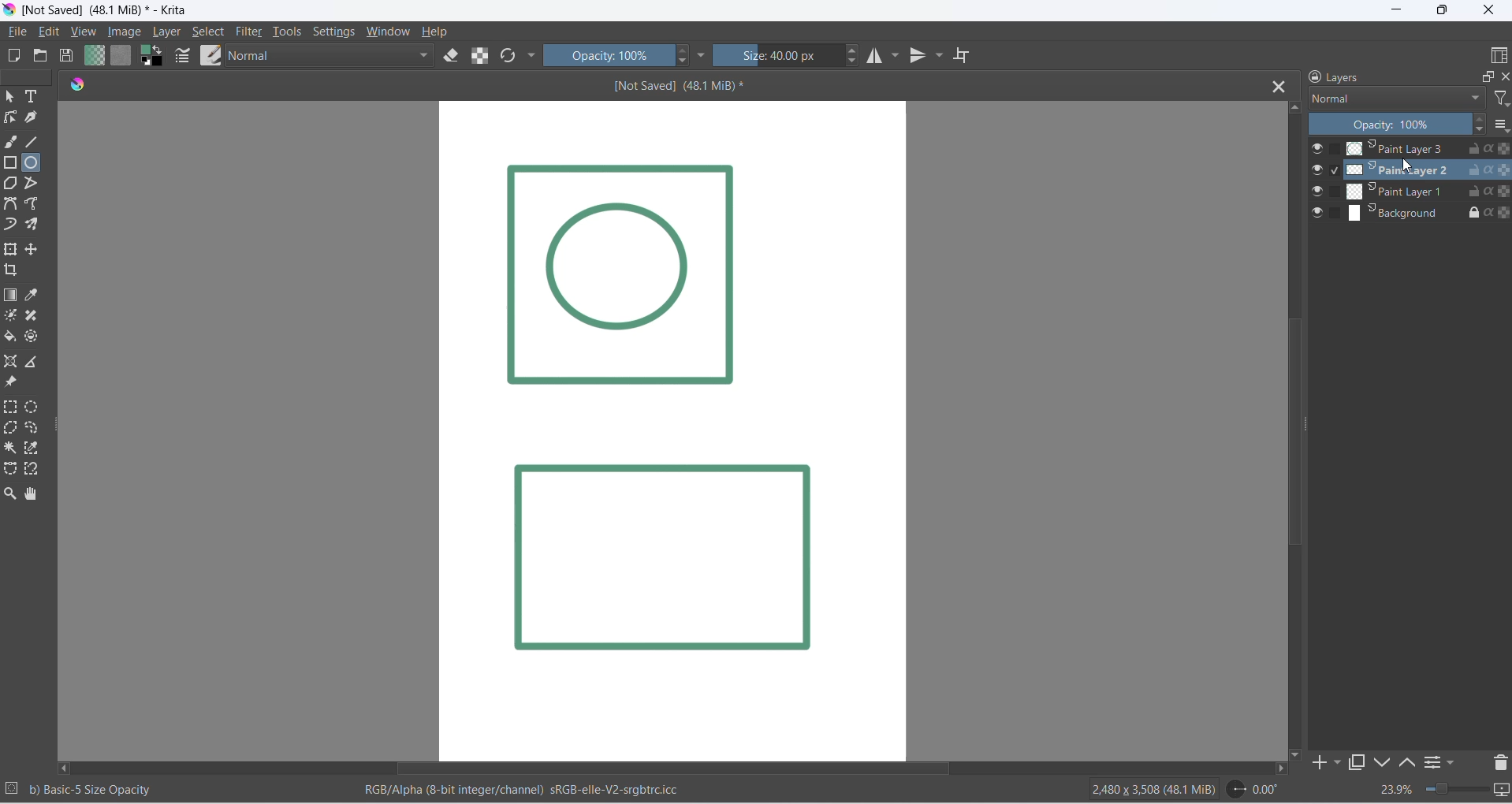 Image resolution: width=1512 pixels, height=804 pixels. I want to click on swap foreground and background colors, so click(153, 56).